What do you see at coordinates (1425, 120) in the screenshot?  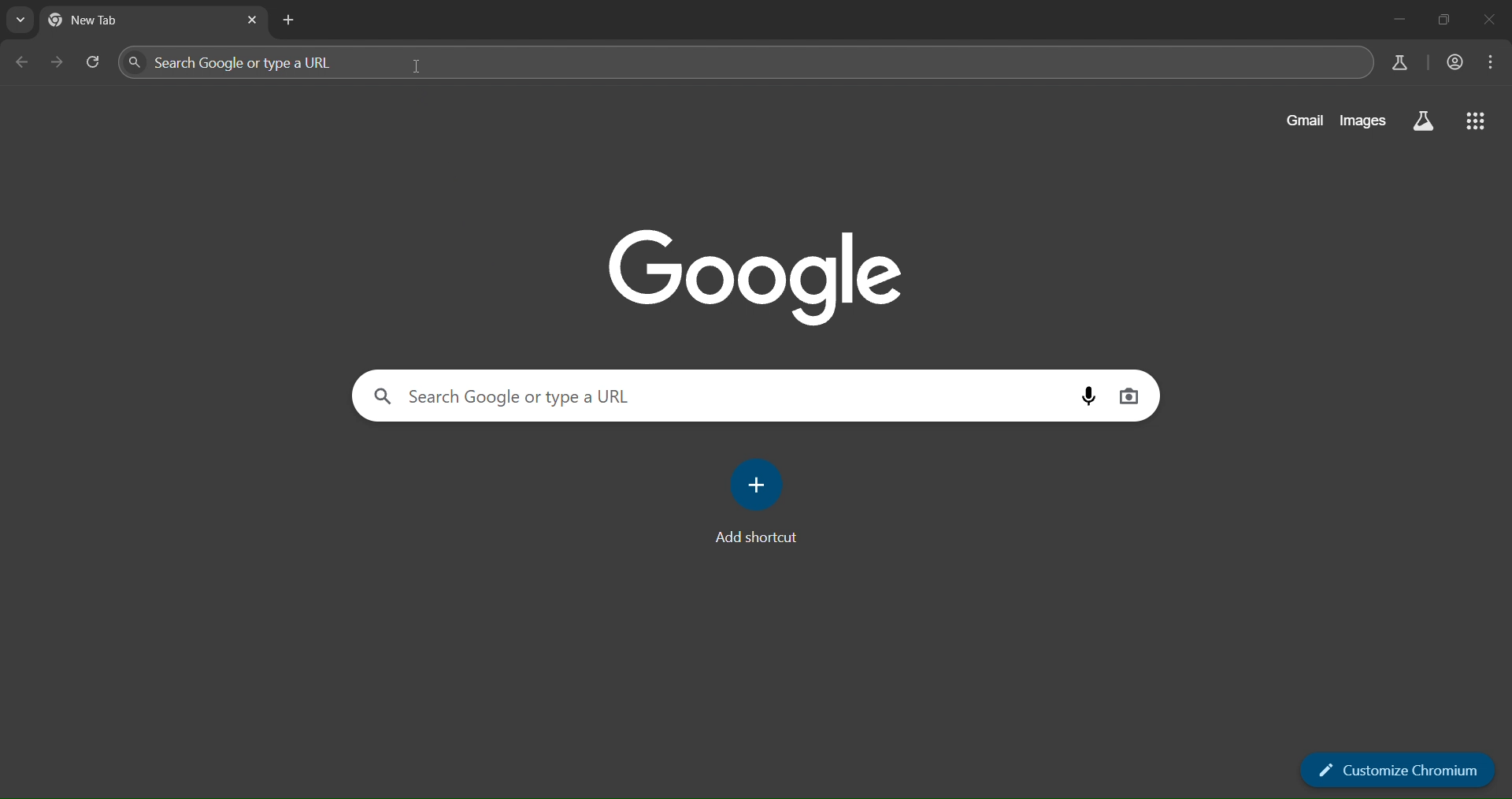 I see `search labs` at bounding box center [1425, 120].